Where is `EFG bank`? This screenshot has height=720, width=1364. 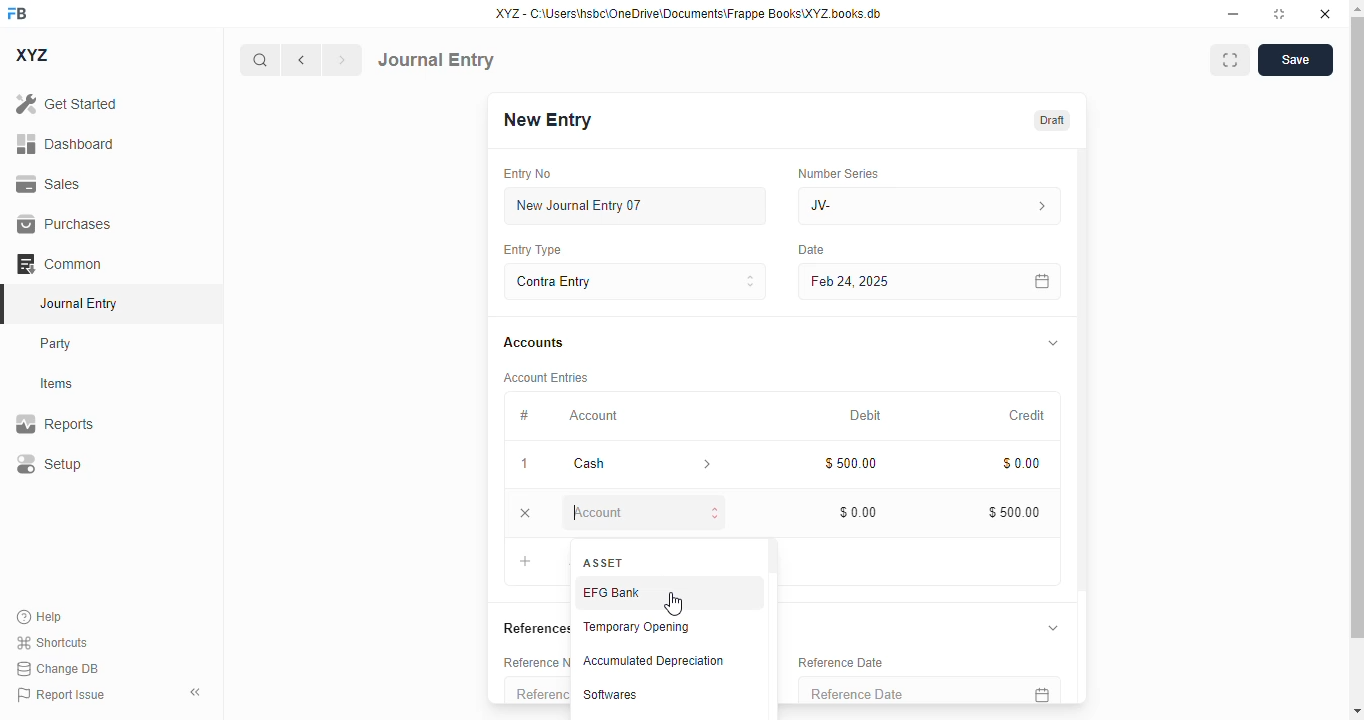 EFG bank is located at coordinates (613, 593).